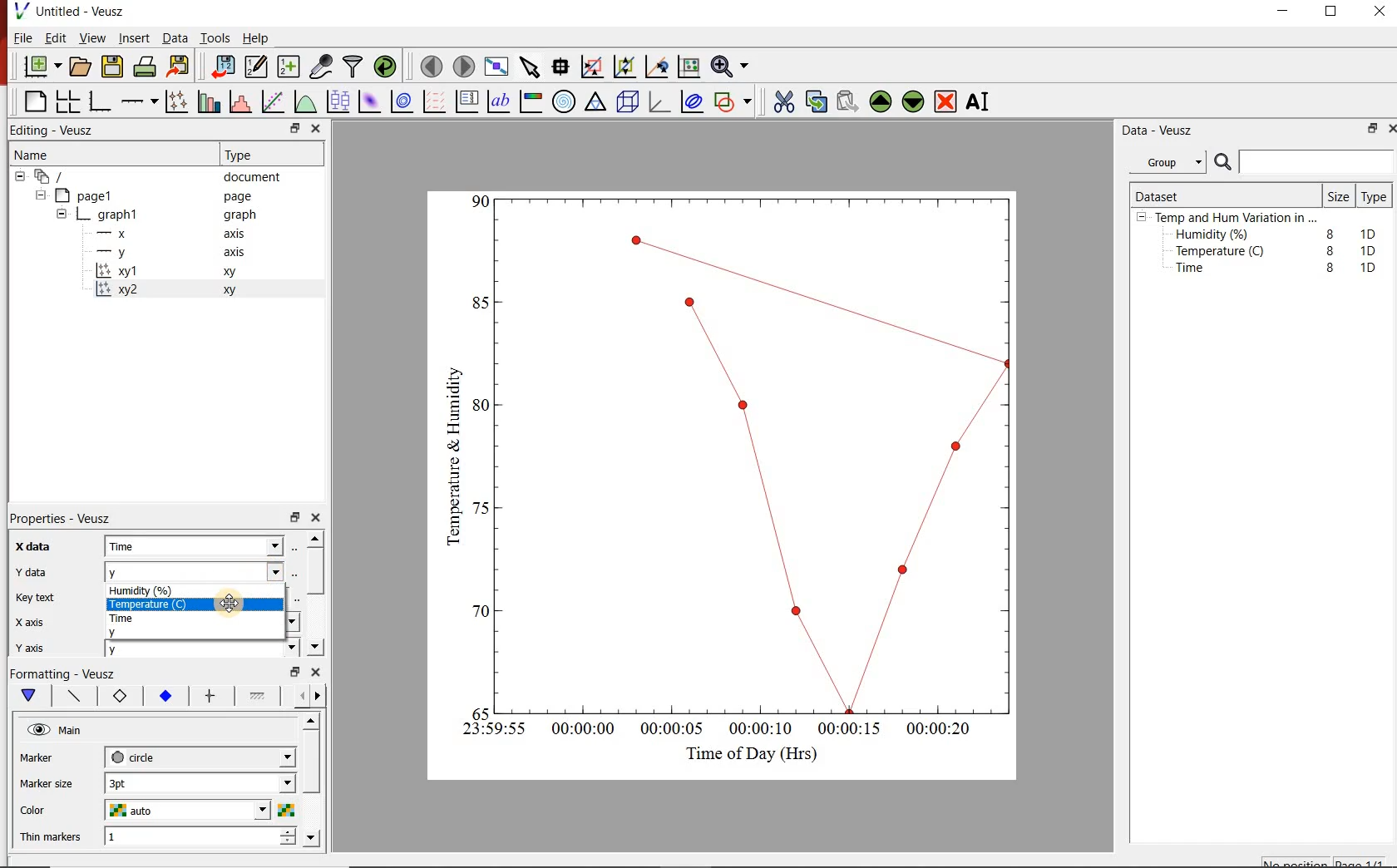 The height and width of the screenshot is (868, 1397). Describe the element at coordinates (287, 833) in the screenshot. I see `increase` at that location.